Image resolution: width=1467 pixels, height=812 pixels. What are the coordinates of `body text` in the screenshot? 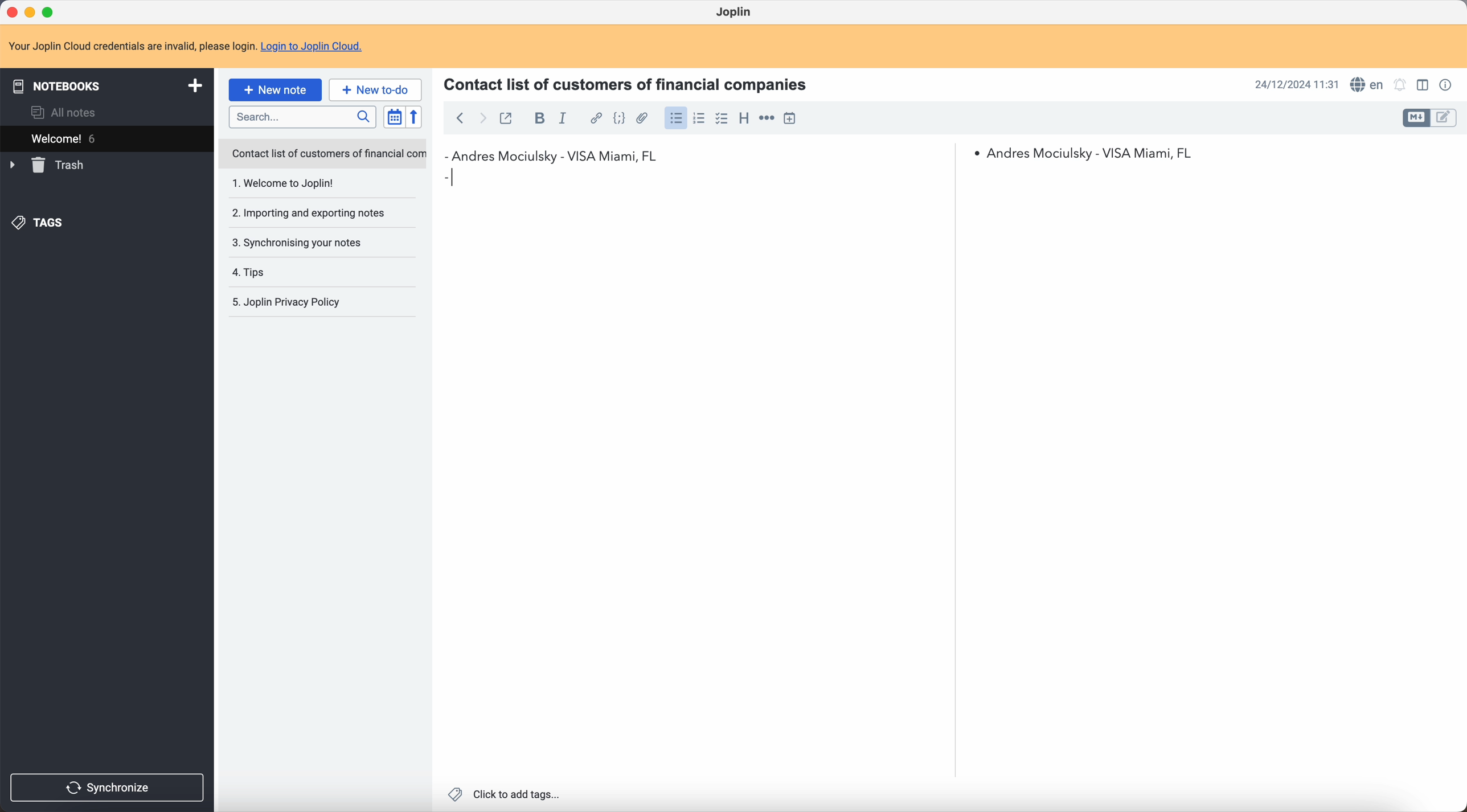 It's located at (1205, 475).